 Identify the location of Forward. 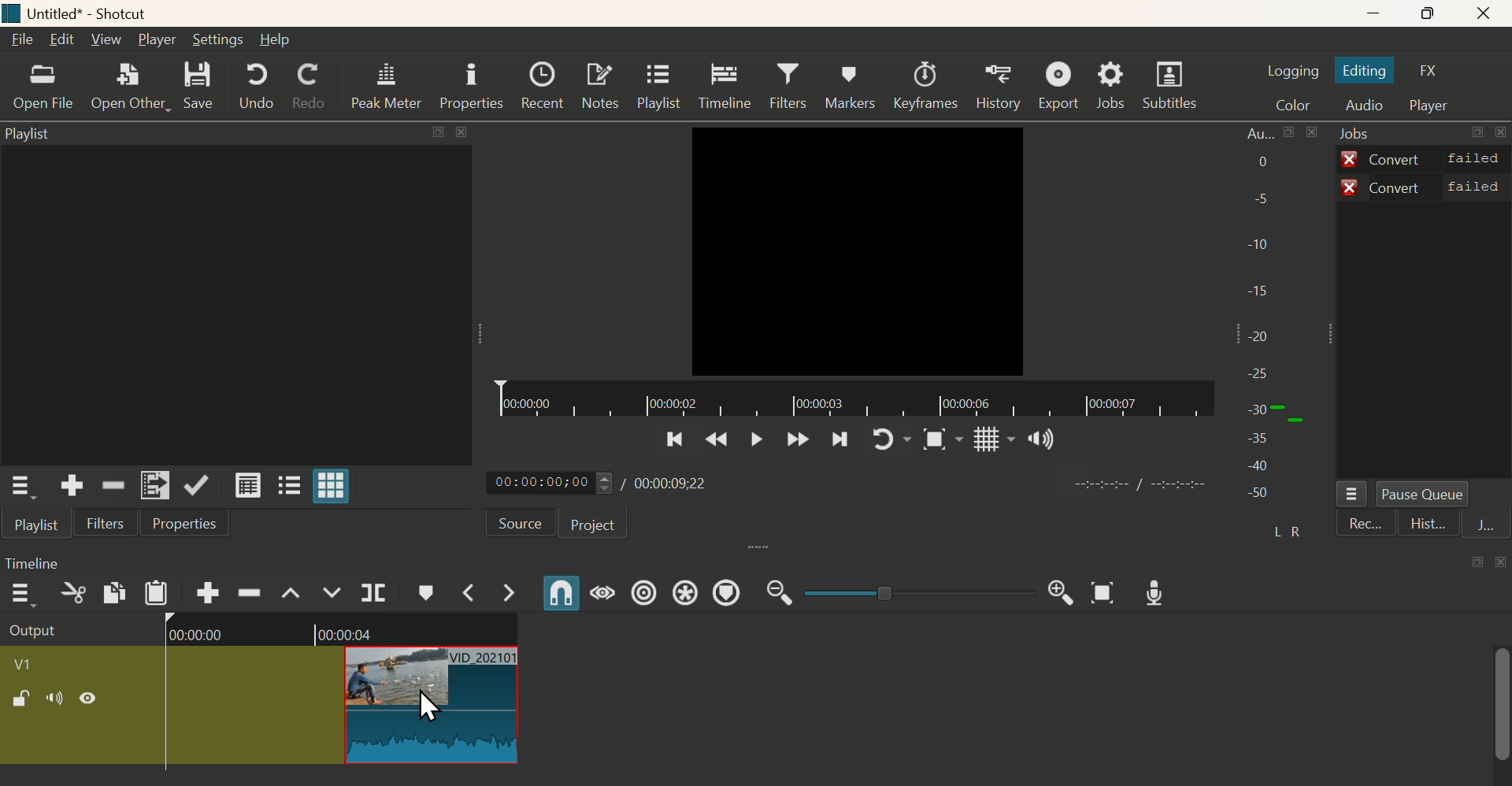
(795, 440).